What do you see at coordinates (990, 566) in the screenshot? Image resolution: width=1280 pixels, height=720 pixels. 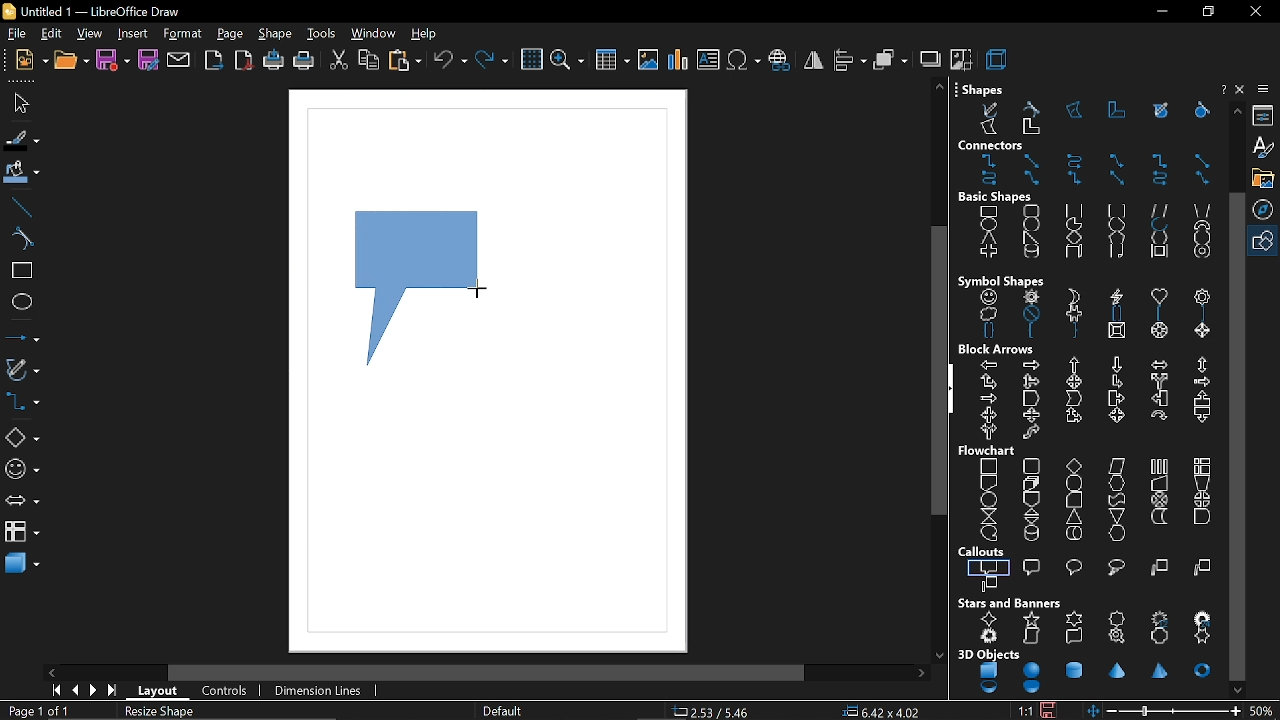 I see `rectangular` at bounding box center [990, 566].